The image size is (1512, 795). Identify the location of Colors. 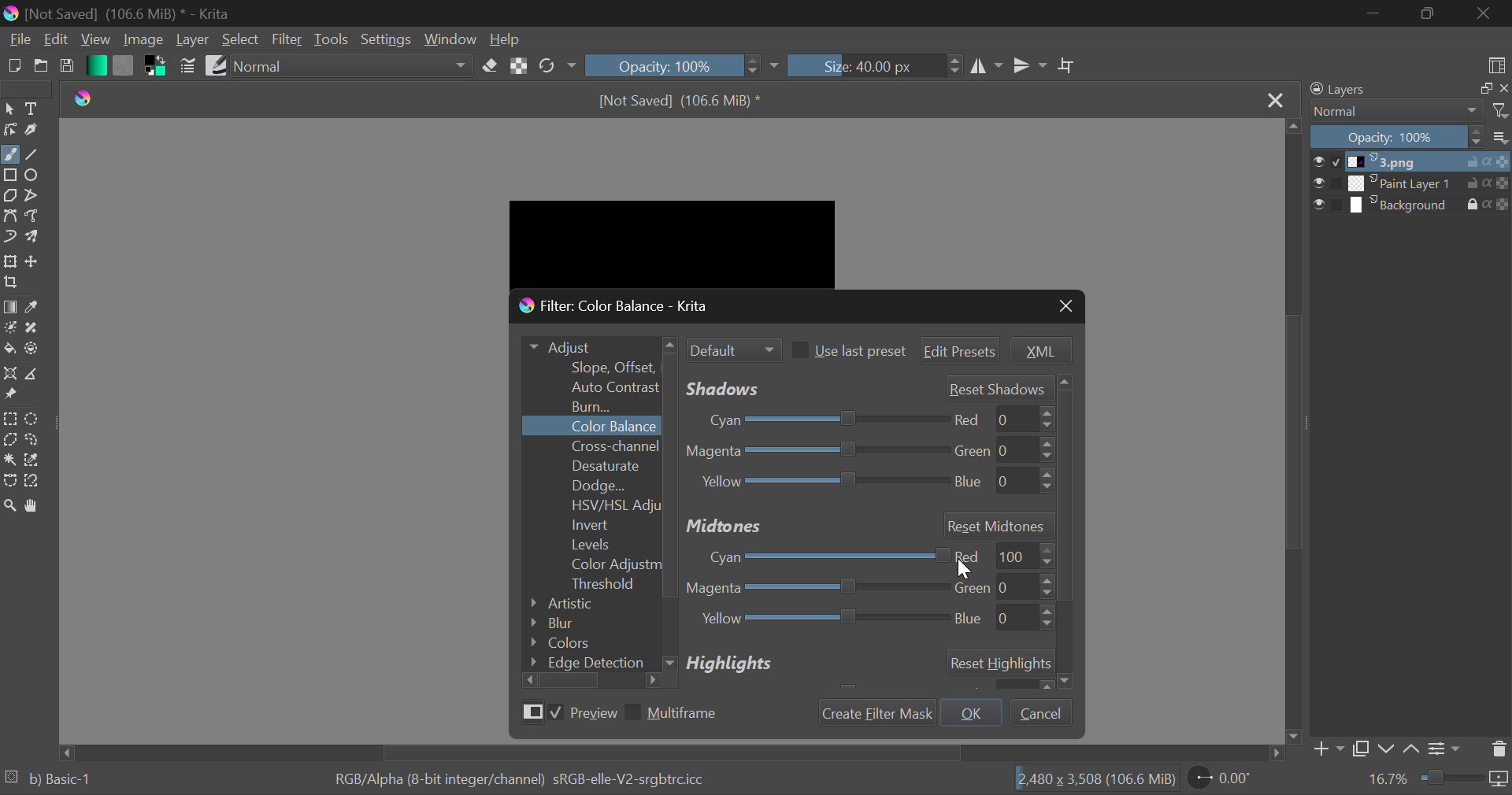
(586, 642).